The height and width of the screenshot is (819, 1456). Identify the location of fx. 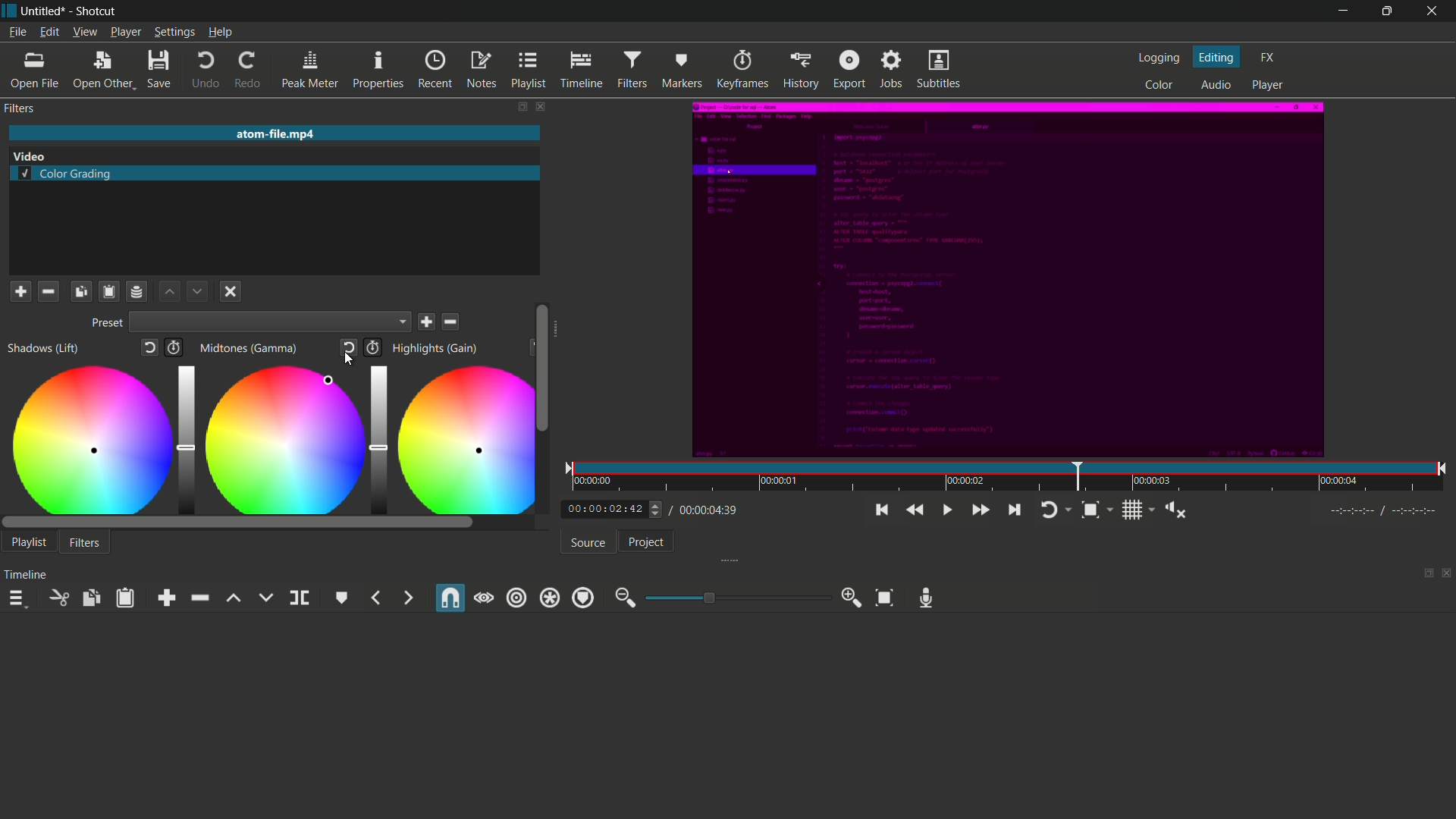
(1269, 56).